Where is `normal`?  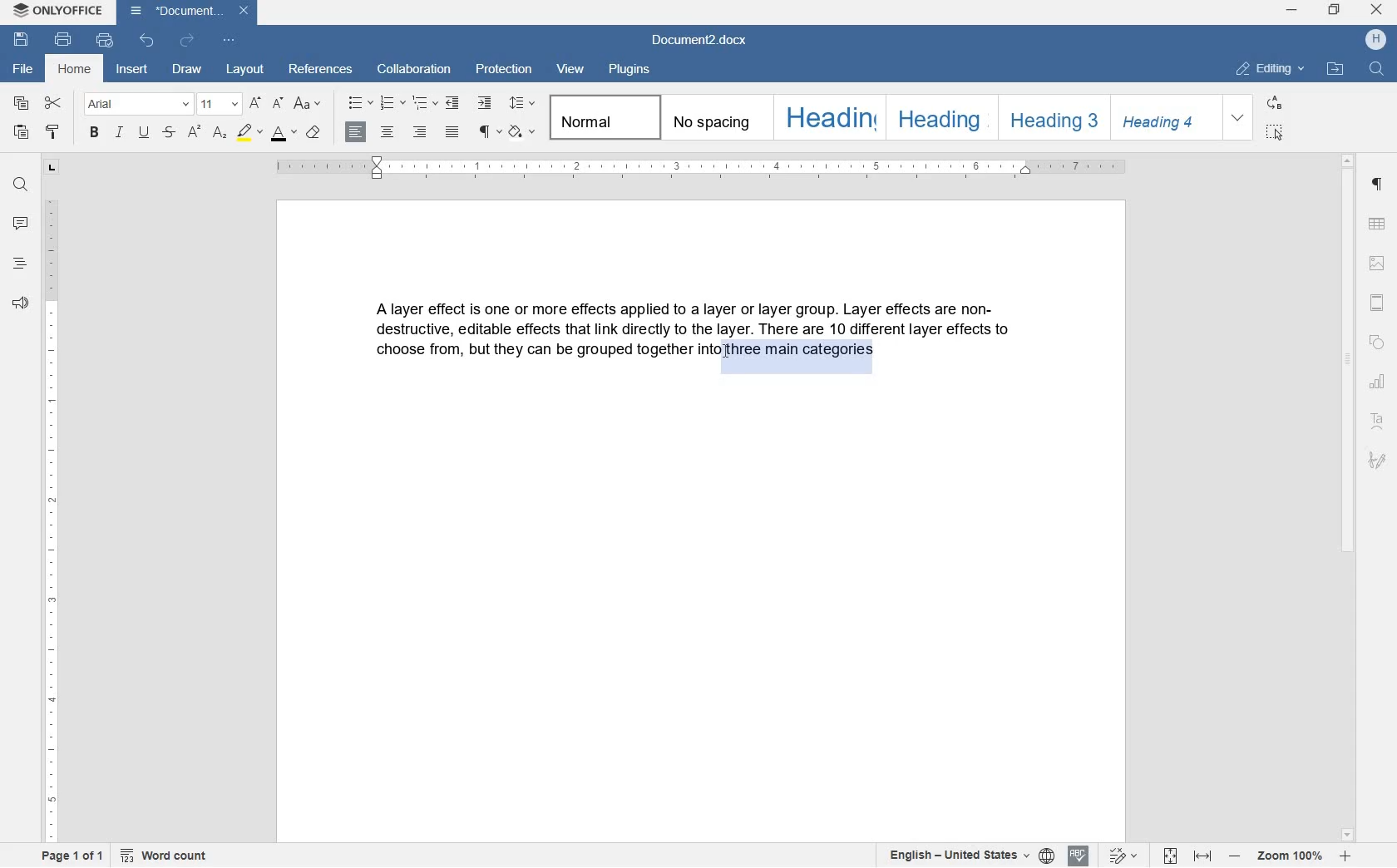
normal is located at coordinates (601, 117).